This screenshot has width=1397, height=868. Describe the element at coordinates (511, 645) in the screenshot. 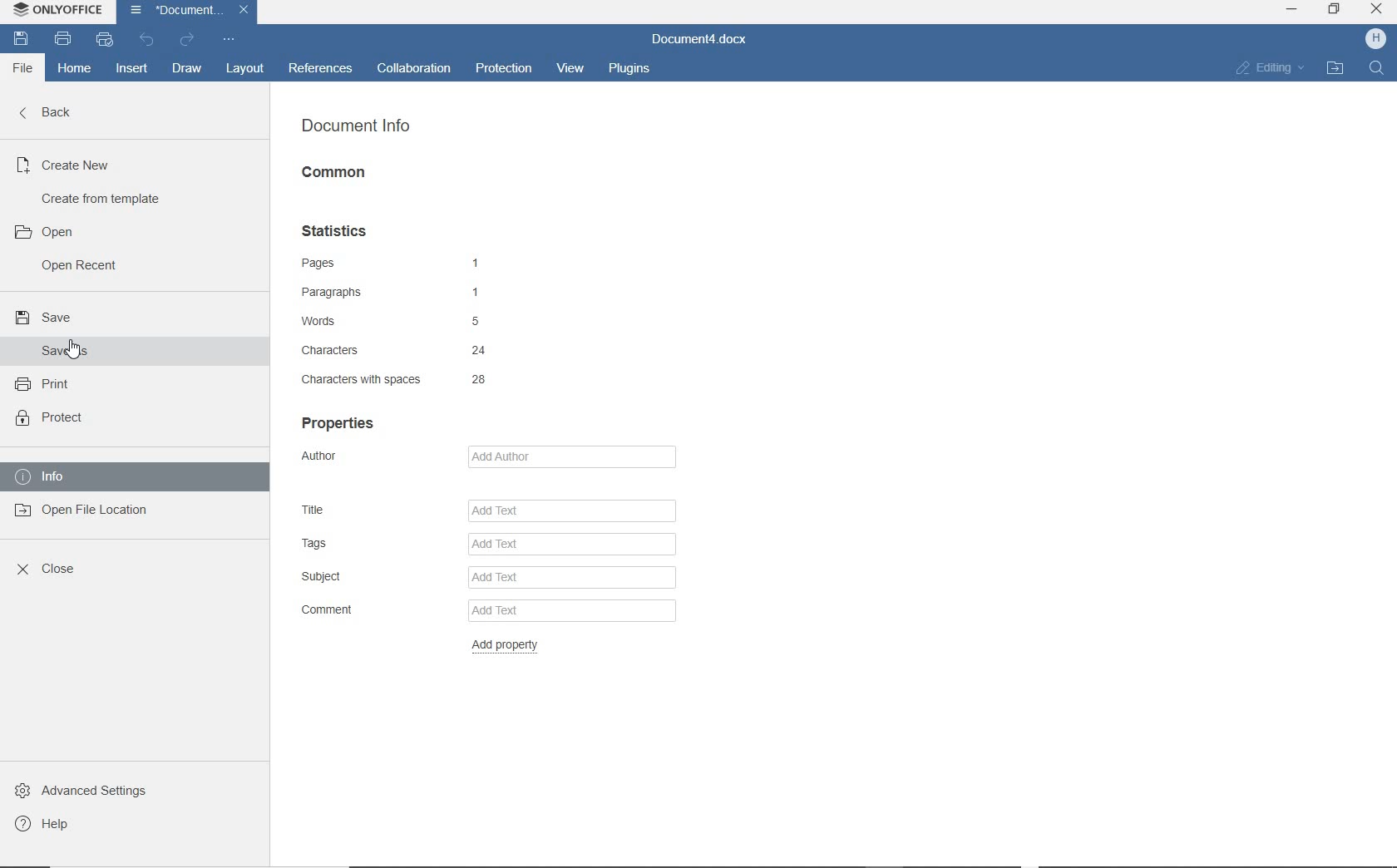

I see `add property` at that location.